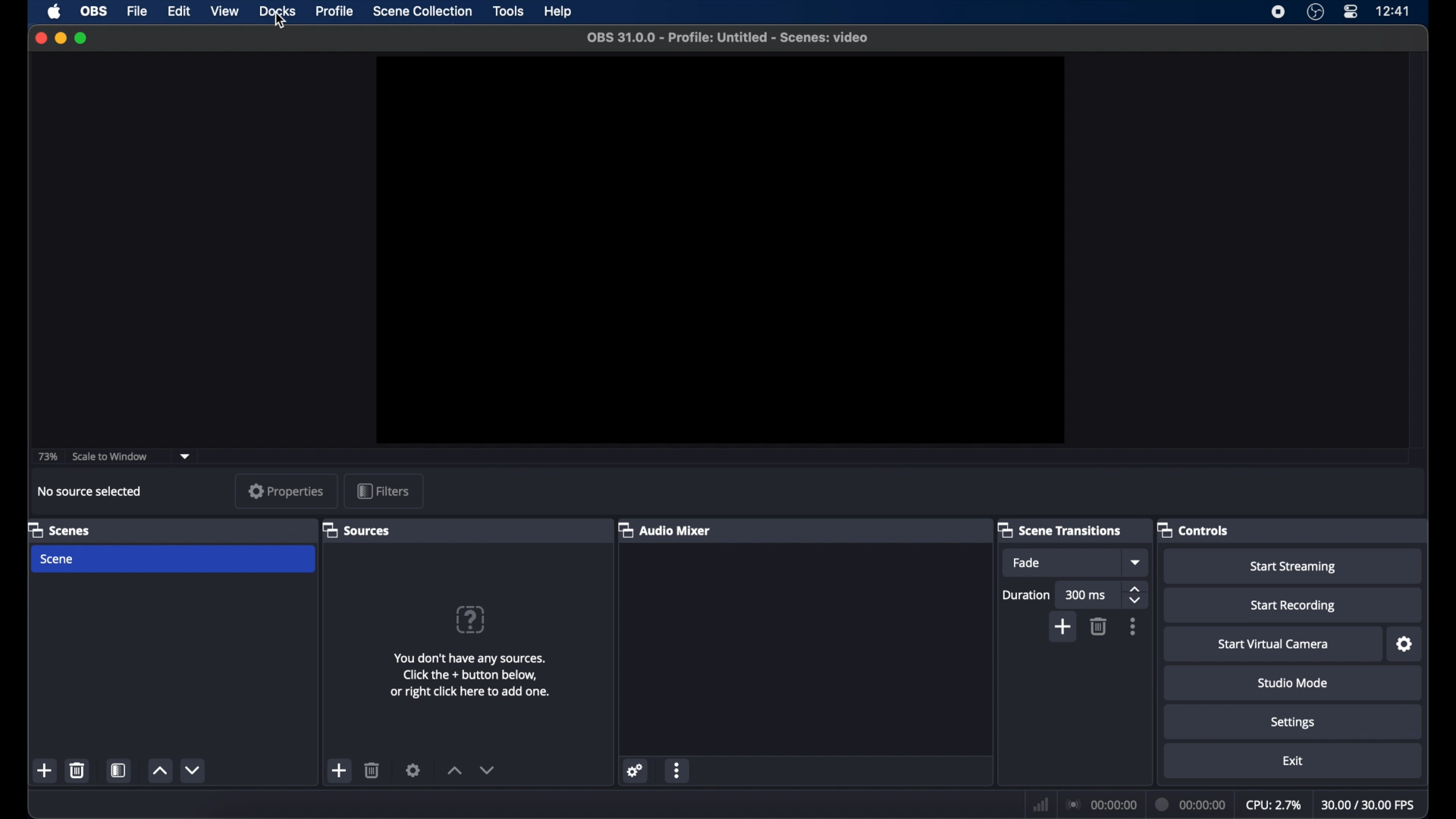  I want to click on settings, so click(1294, 723).